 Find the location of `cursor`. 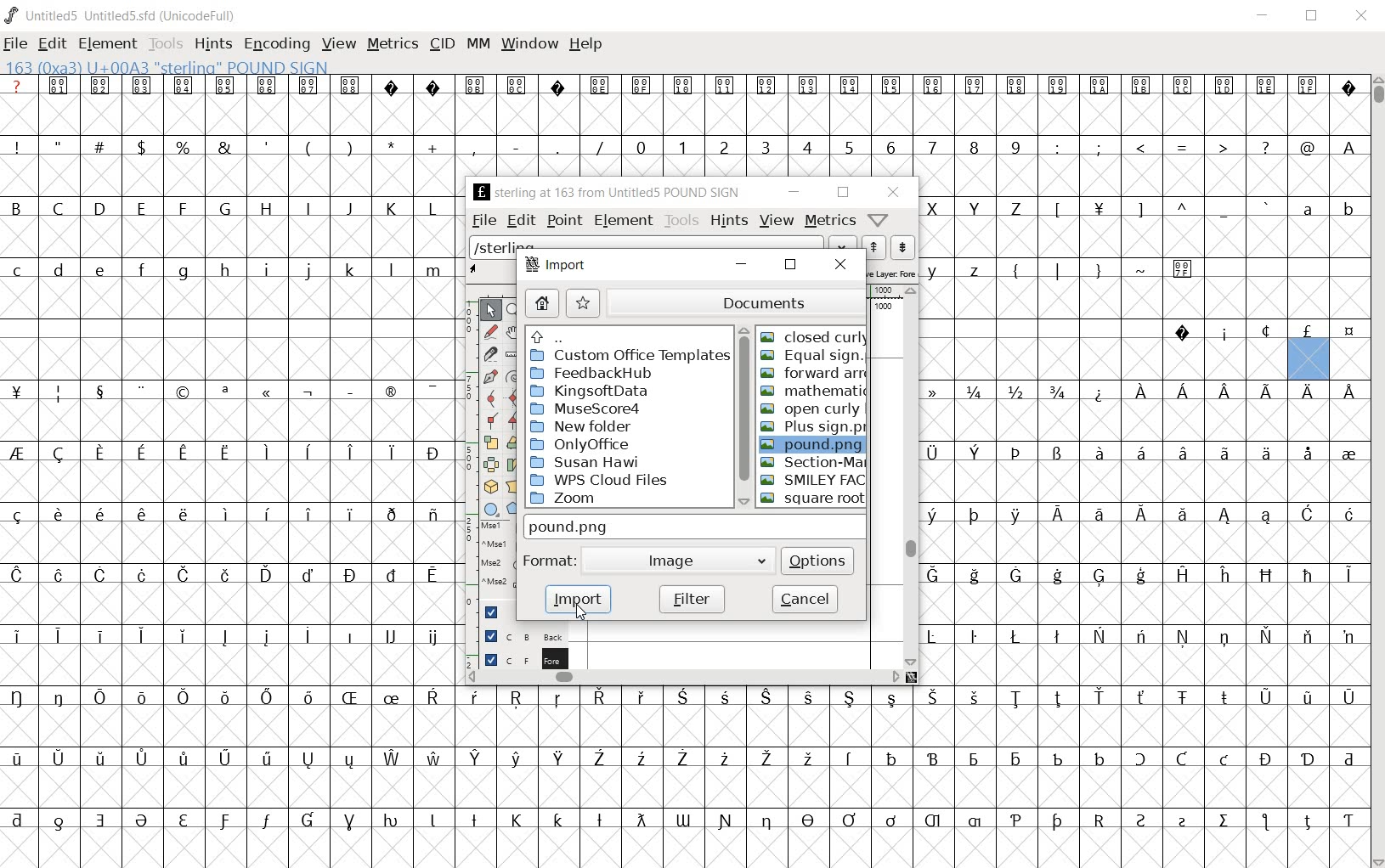

cursor is located at coordinates (582, 612).